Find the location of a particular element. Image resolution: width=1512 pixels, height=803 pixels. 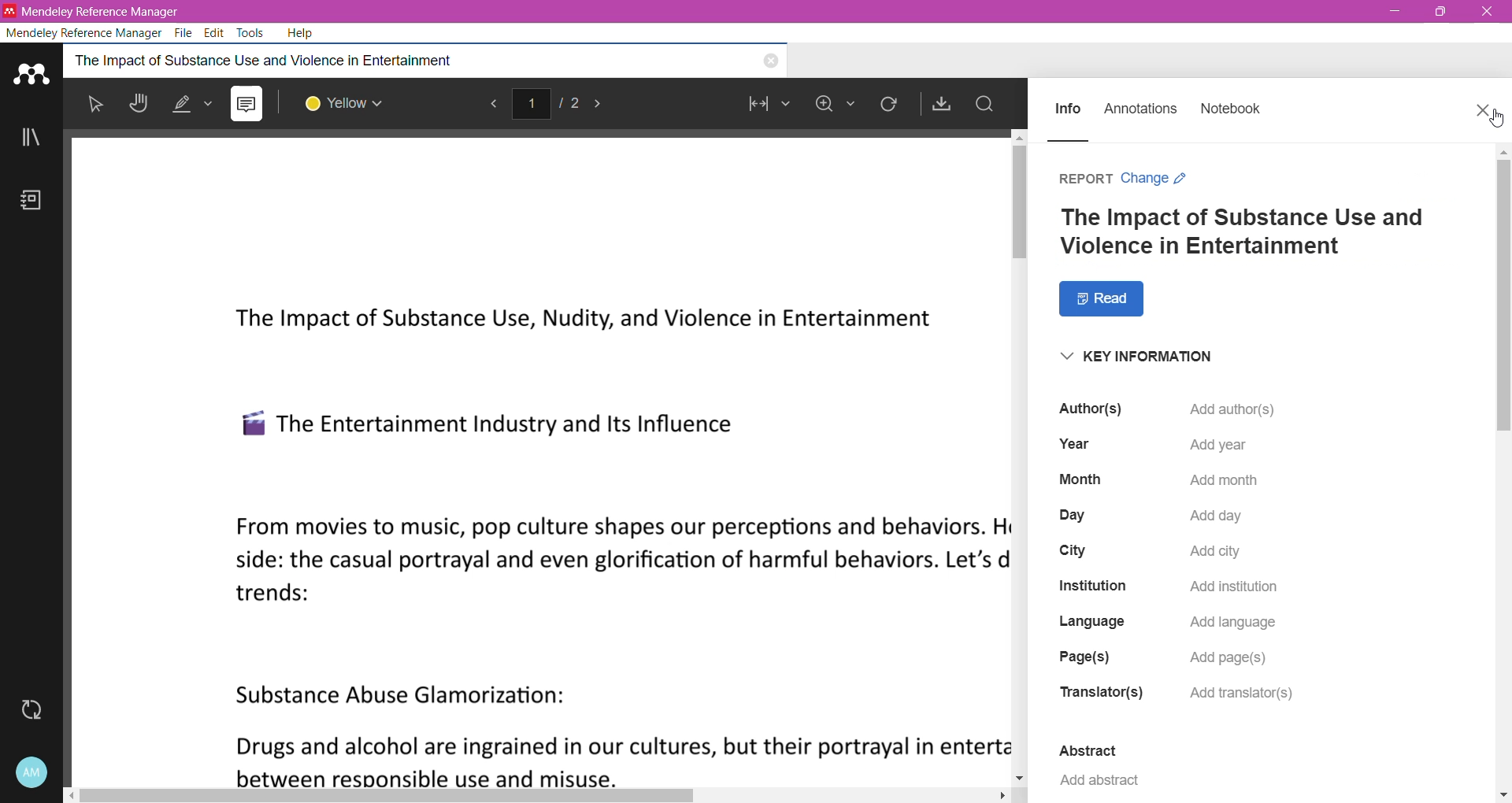

Change Item Type is located at coordinates (1154, 176).